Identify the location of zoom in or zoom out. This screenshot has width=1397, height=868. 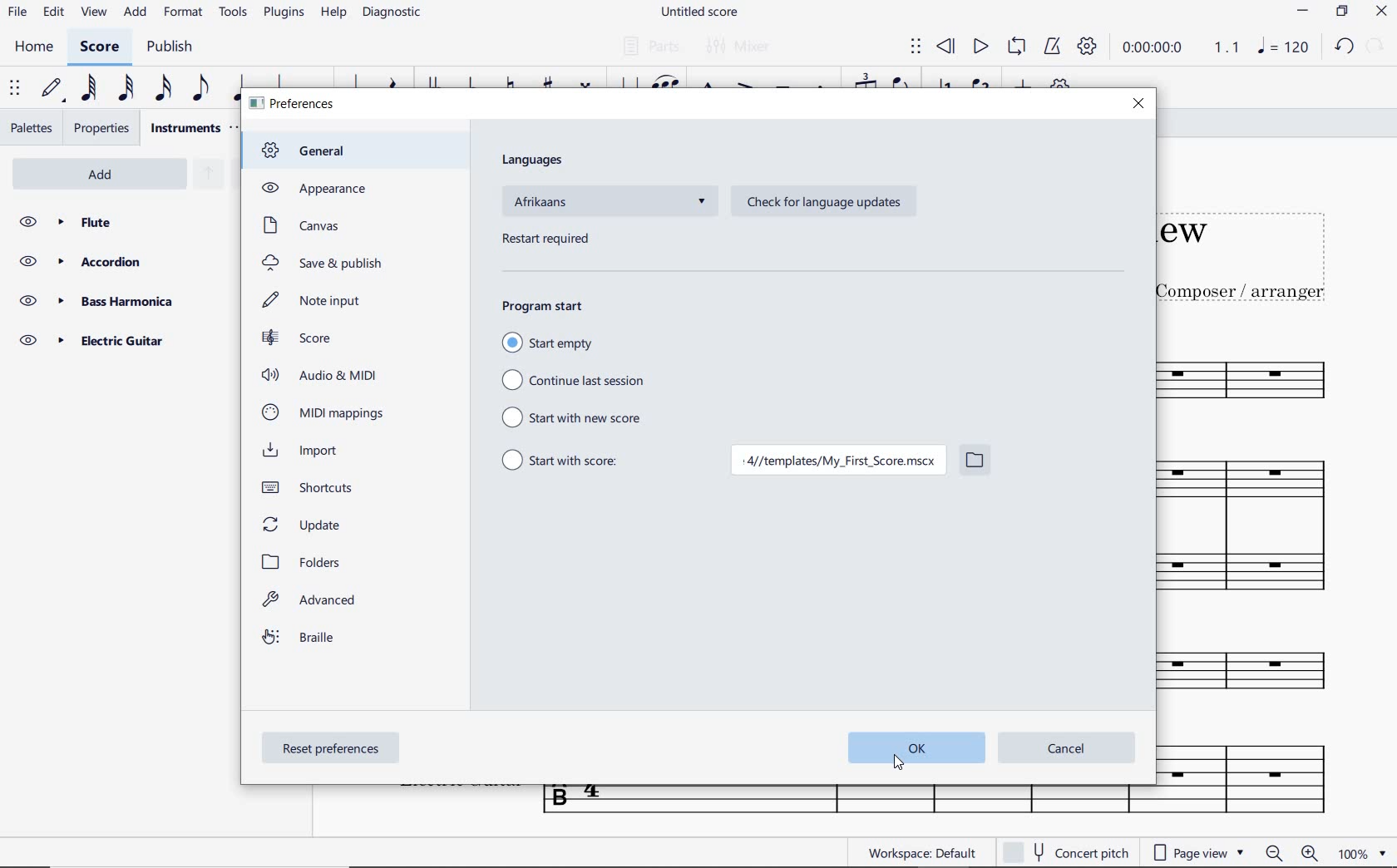
(1289, 852).